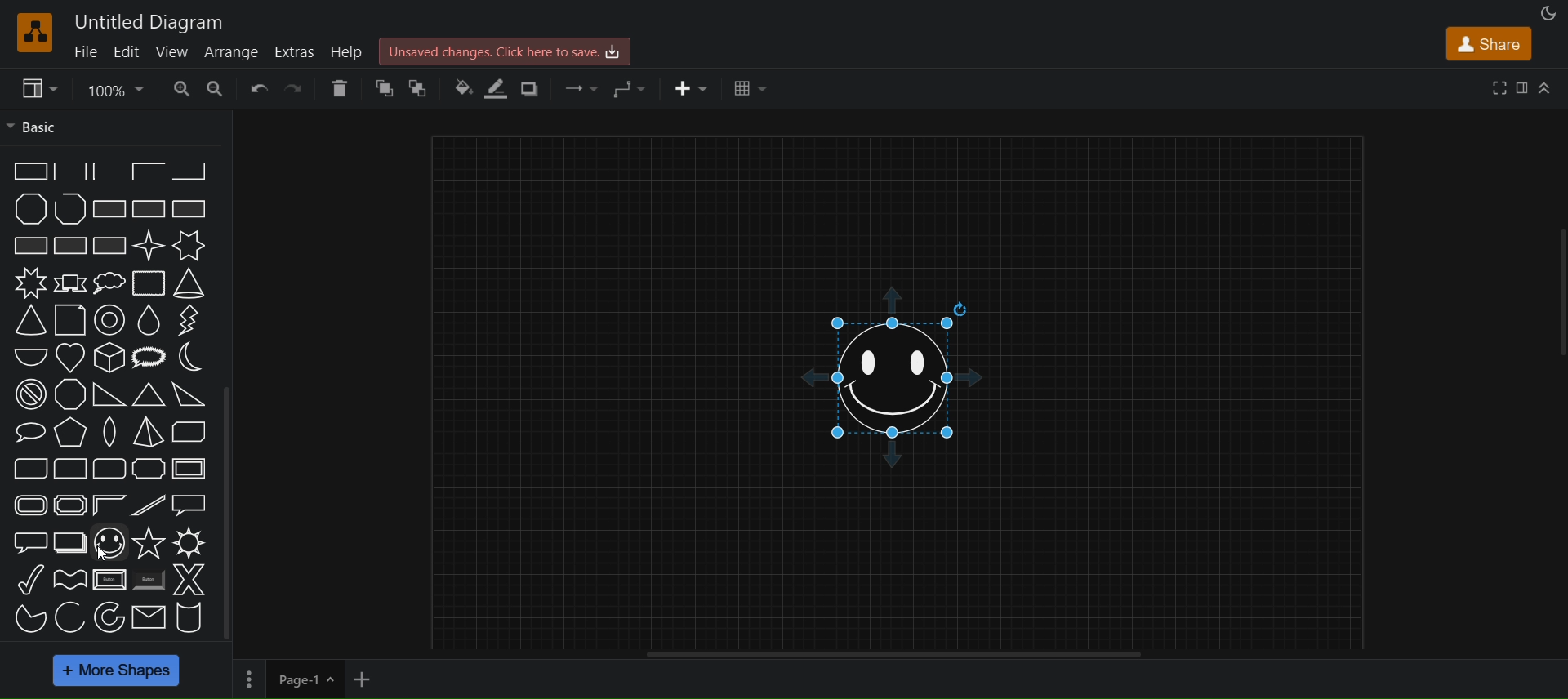 The height and width of the screenshot is (699, 1568). Describe the element at coordinates (581, 86) in the screenshot. I see `connection` at that location.